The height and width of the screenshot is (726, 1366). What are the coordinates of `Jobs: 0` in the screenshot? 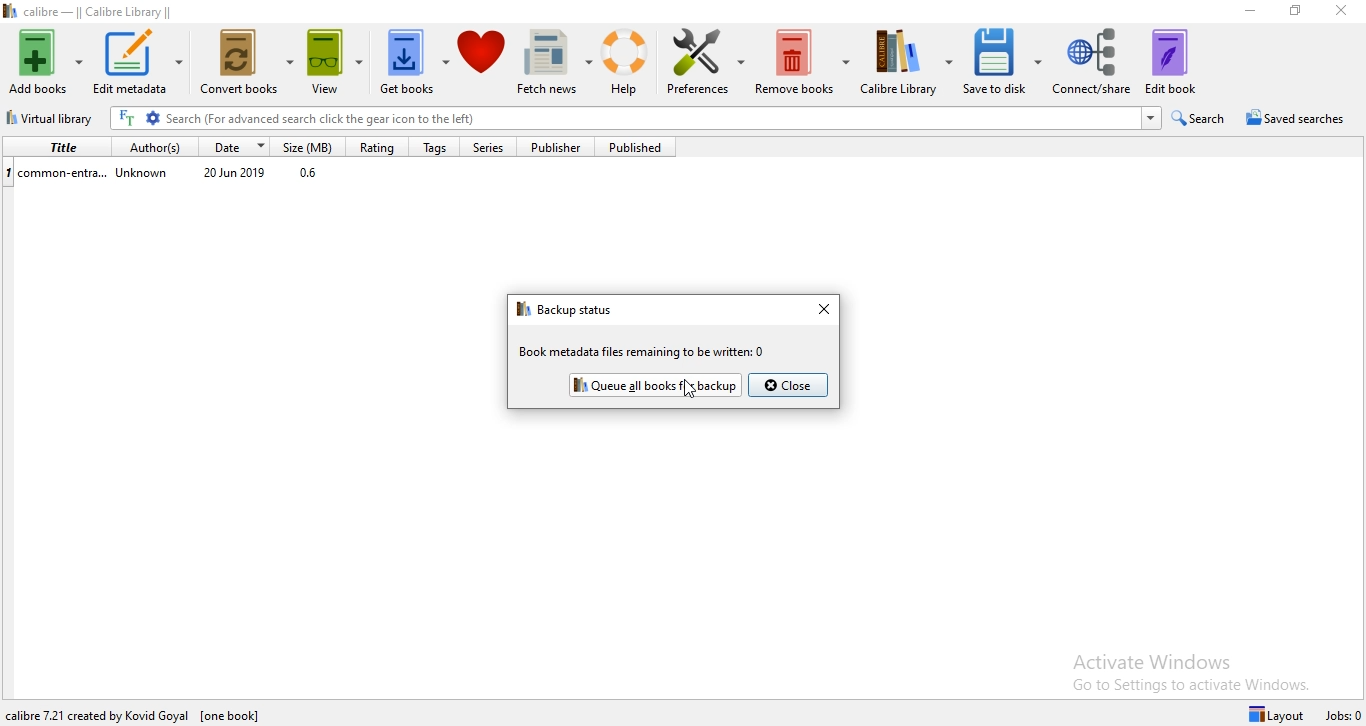 It's located at (1344, 716).